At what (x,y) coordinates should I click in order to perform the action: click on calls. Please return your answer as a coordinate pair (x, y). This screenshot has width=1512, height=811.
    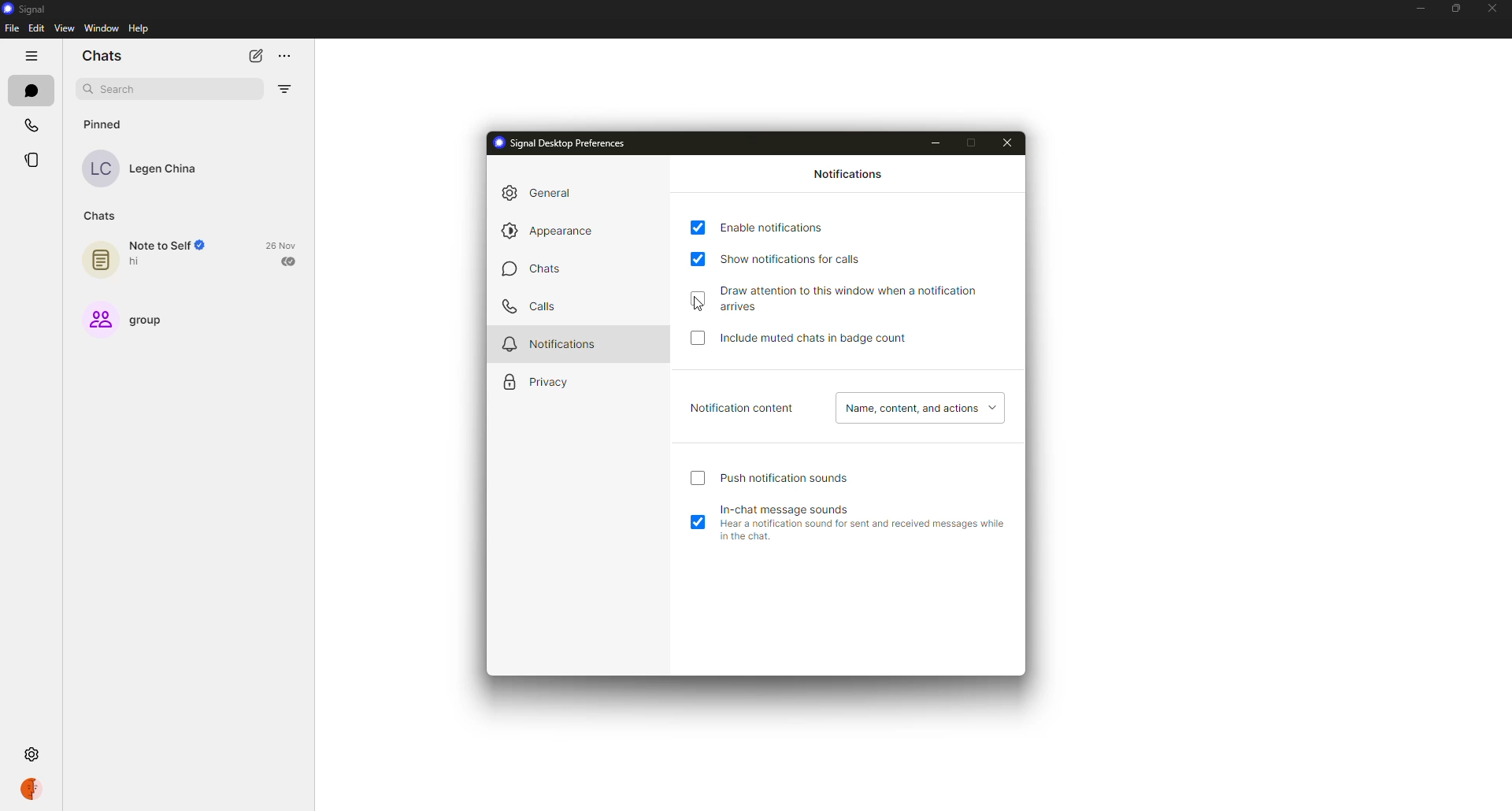
    Looking at the image, I should click on (528, 306).